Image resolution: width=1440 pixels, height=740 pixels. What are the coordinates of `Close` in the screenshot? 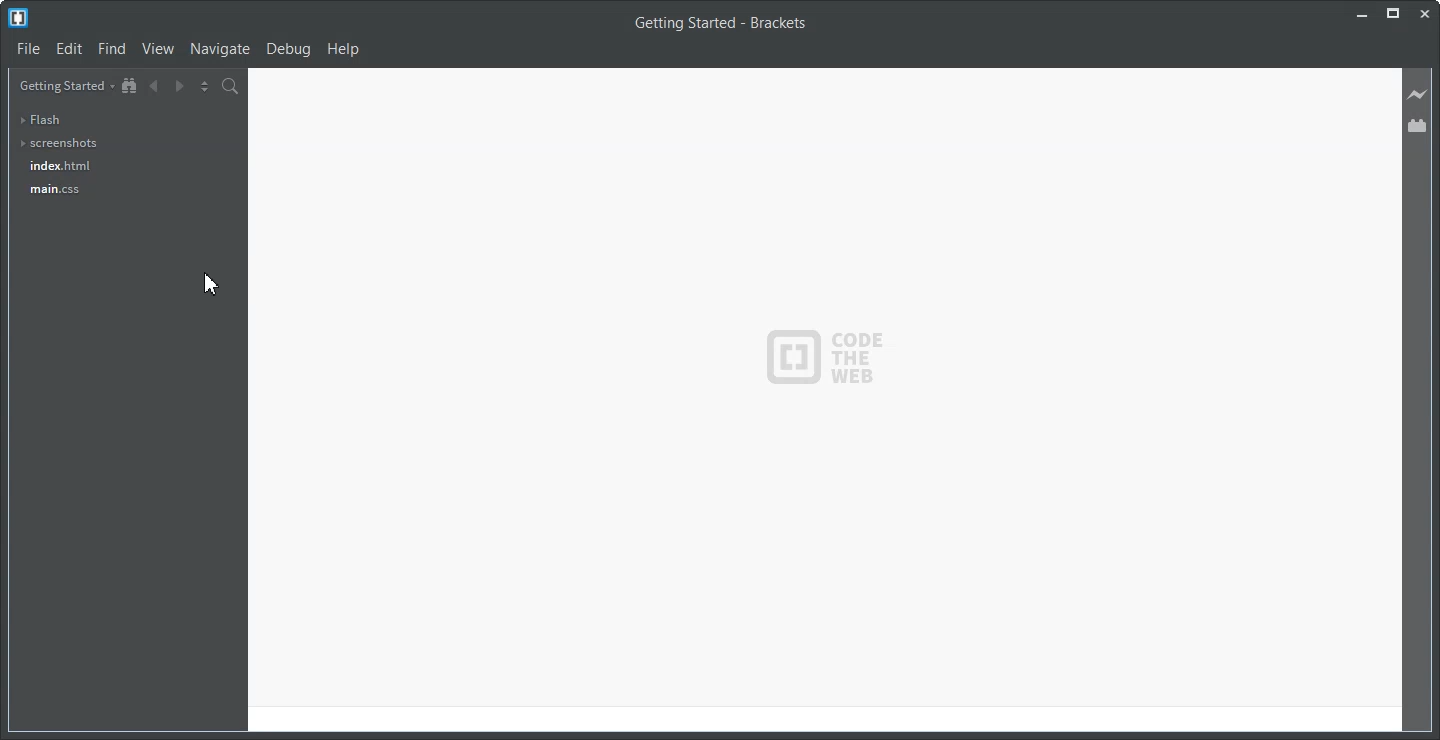 It's located at (1426, 13).